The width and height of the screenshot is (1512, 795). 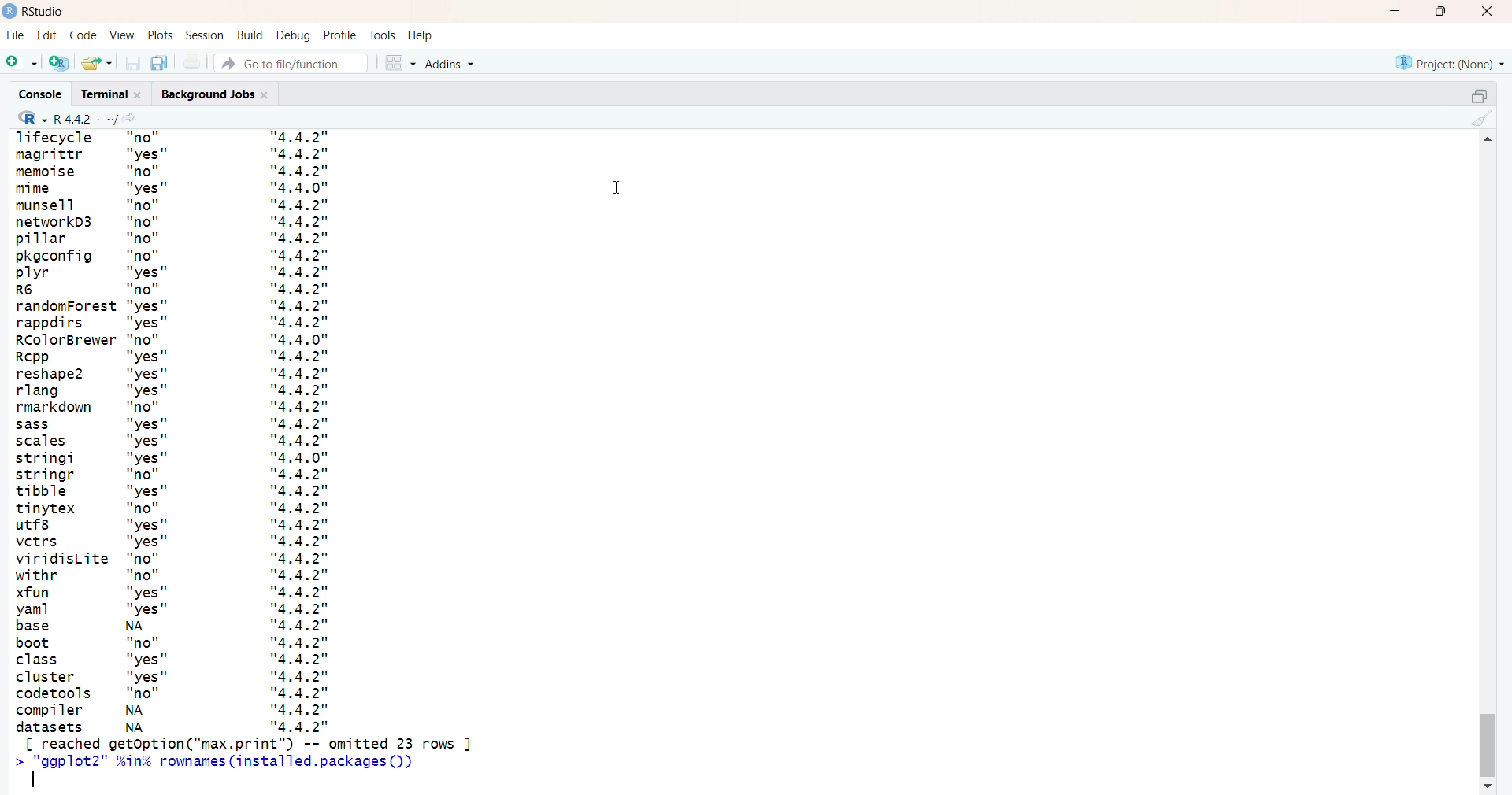 I want to click on background jobs, so click(x=215, y=94).